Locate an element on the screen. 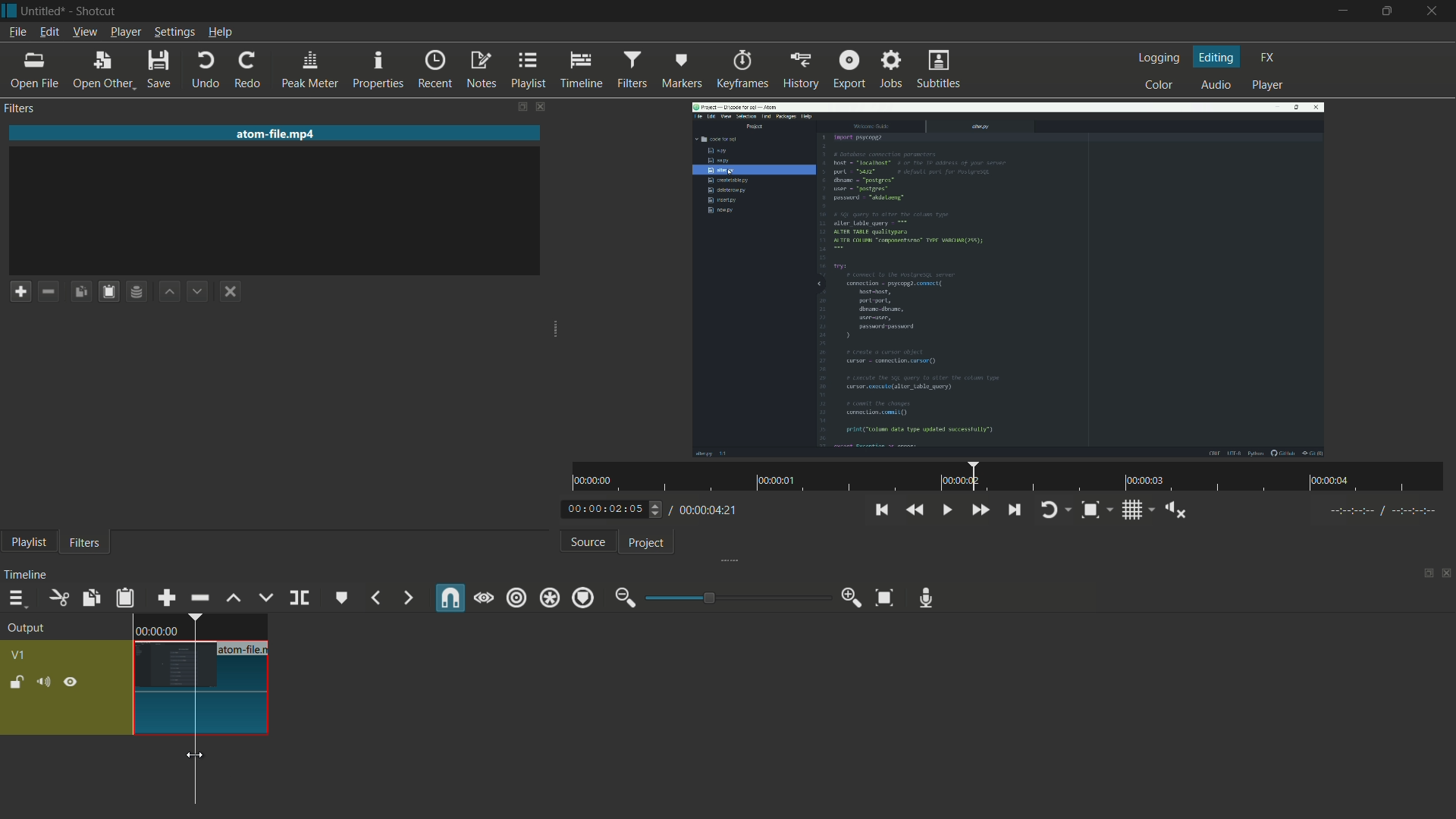  save is located at coordinates (160, 68).